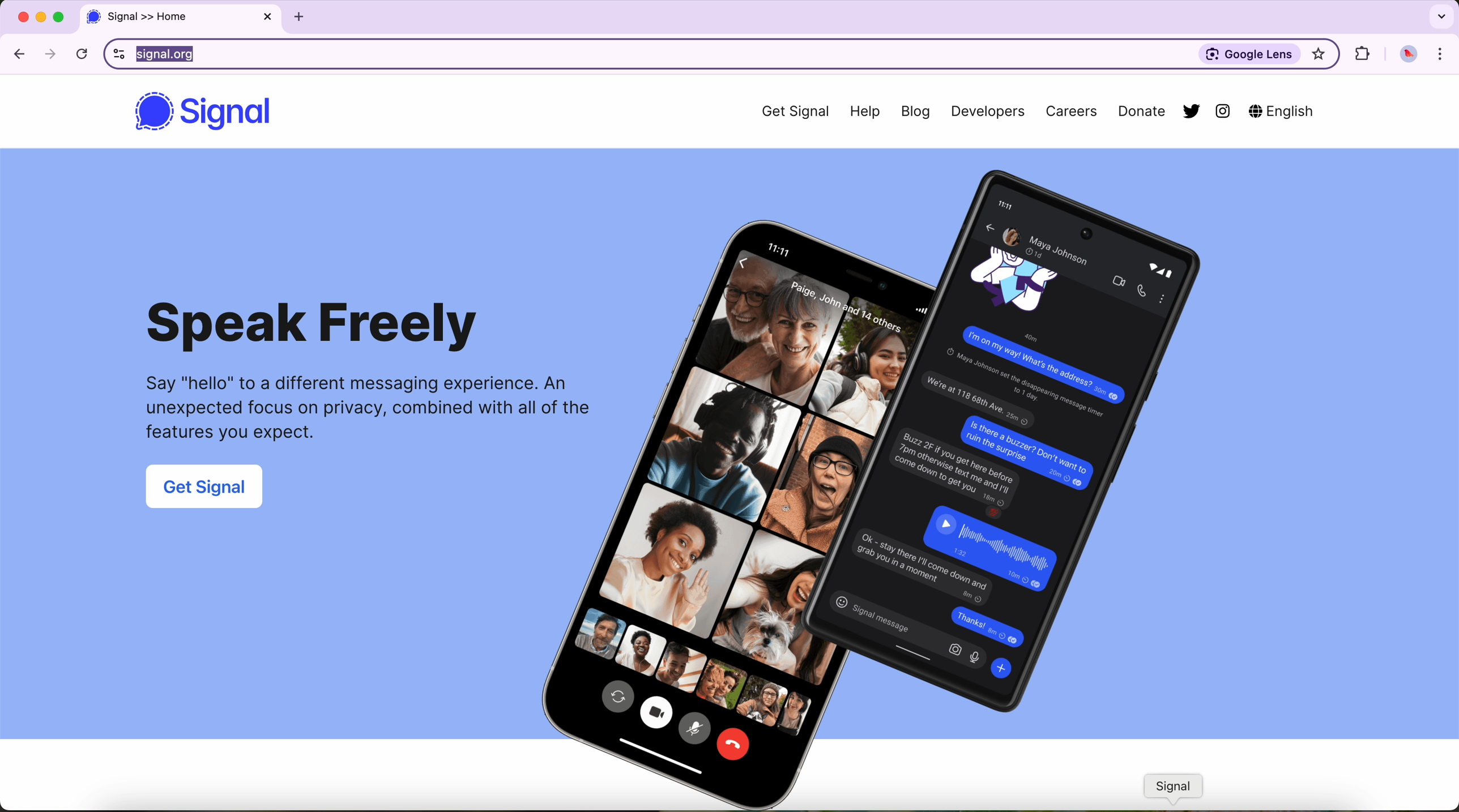  I want to click on search tabs, so click(1440, 15).